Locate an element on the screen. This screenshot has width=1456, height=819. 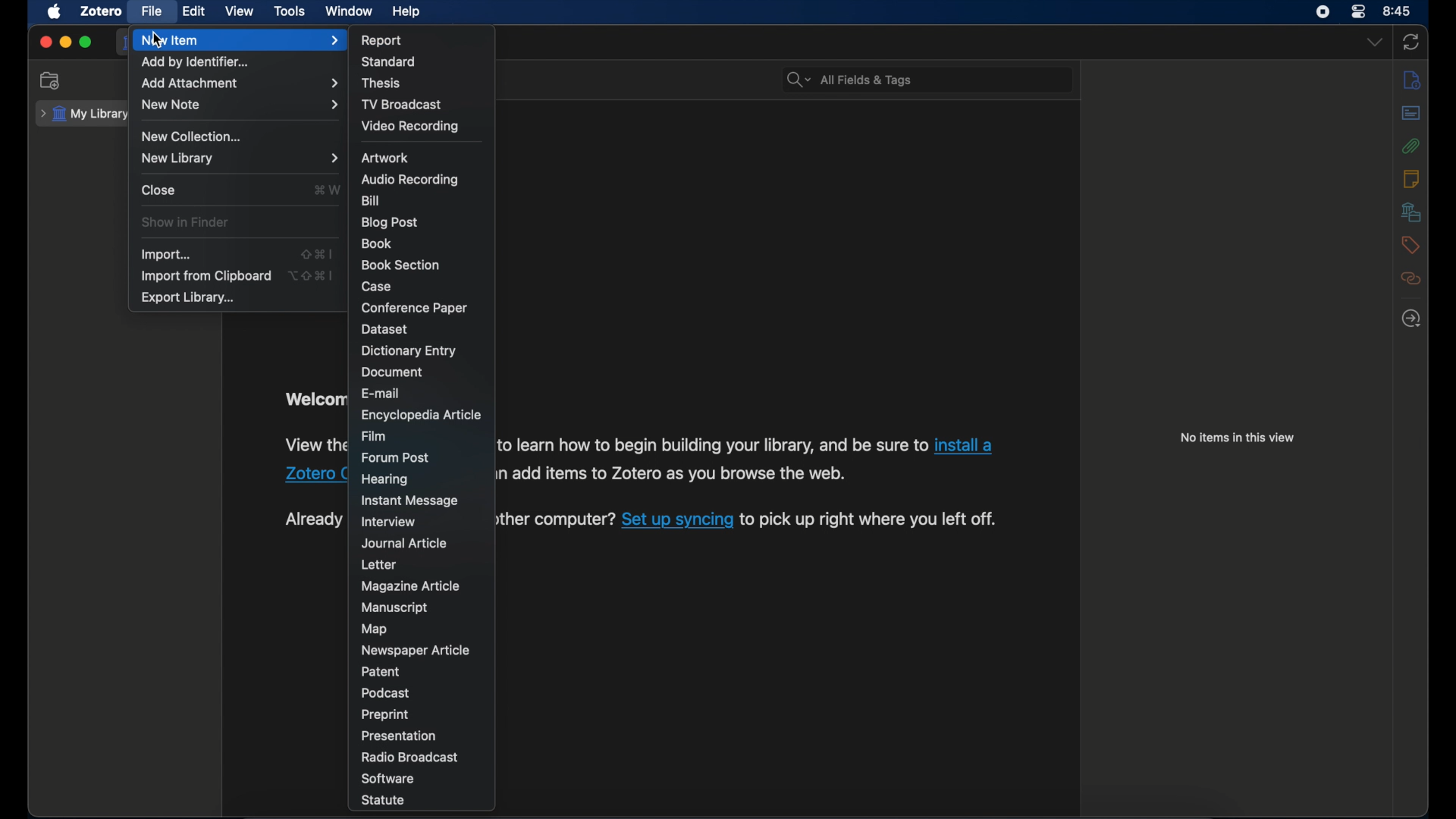
document is located at coordinates (393, 372).